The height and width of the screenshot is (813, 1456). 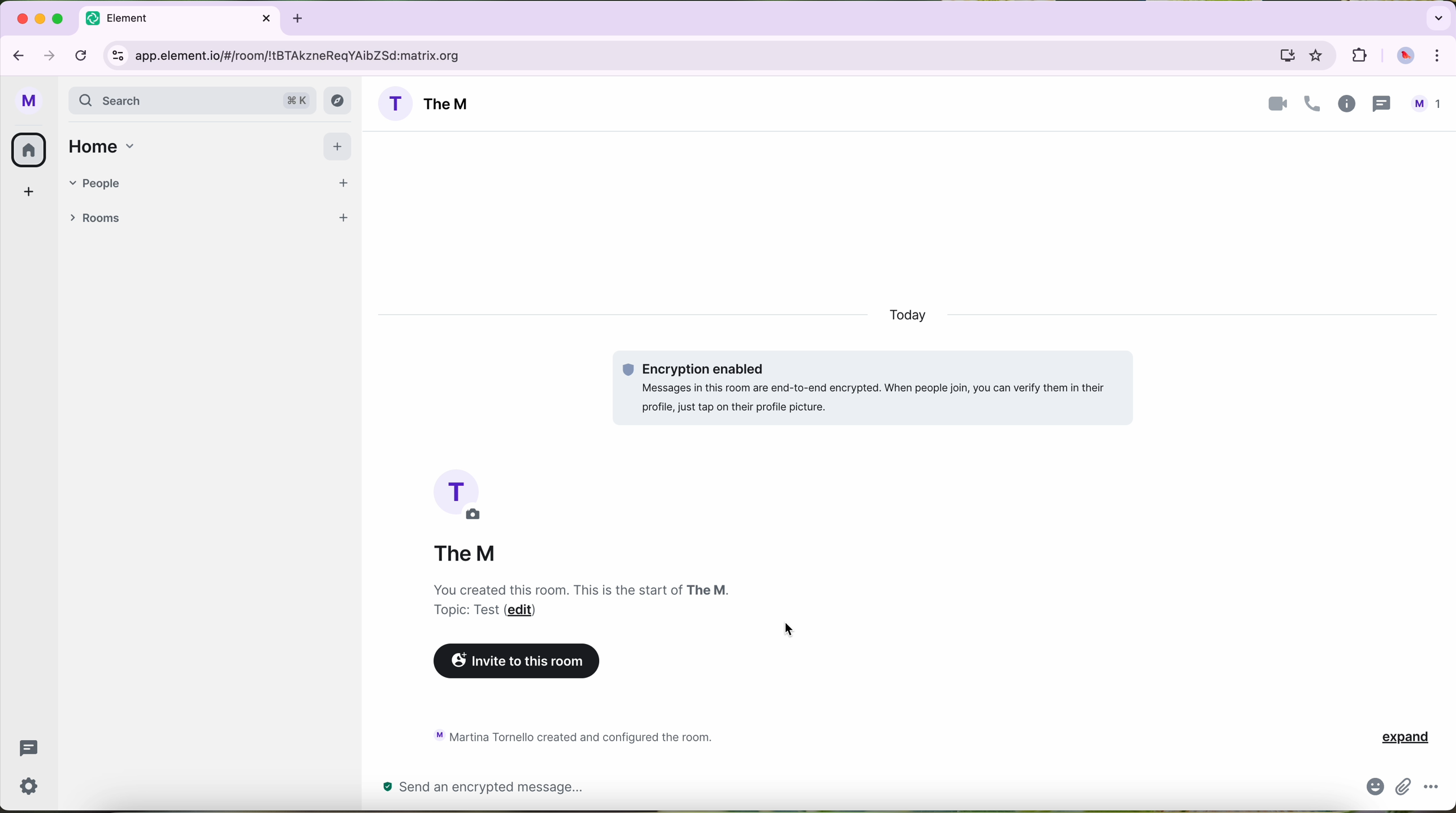 I want to click on more options, so click(x=1432, y=789).